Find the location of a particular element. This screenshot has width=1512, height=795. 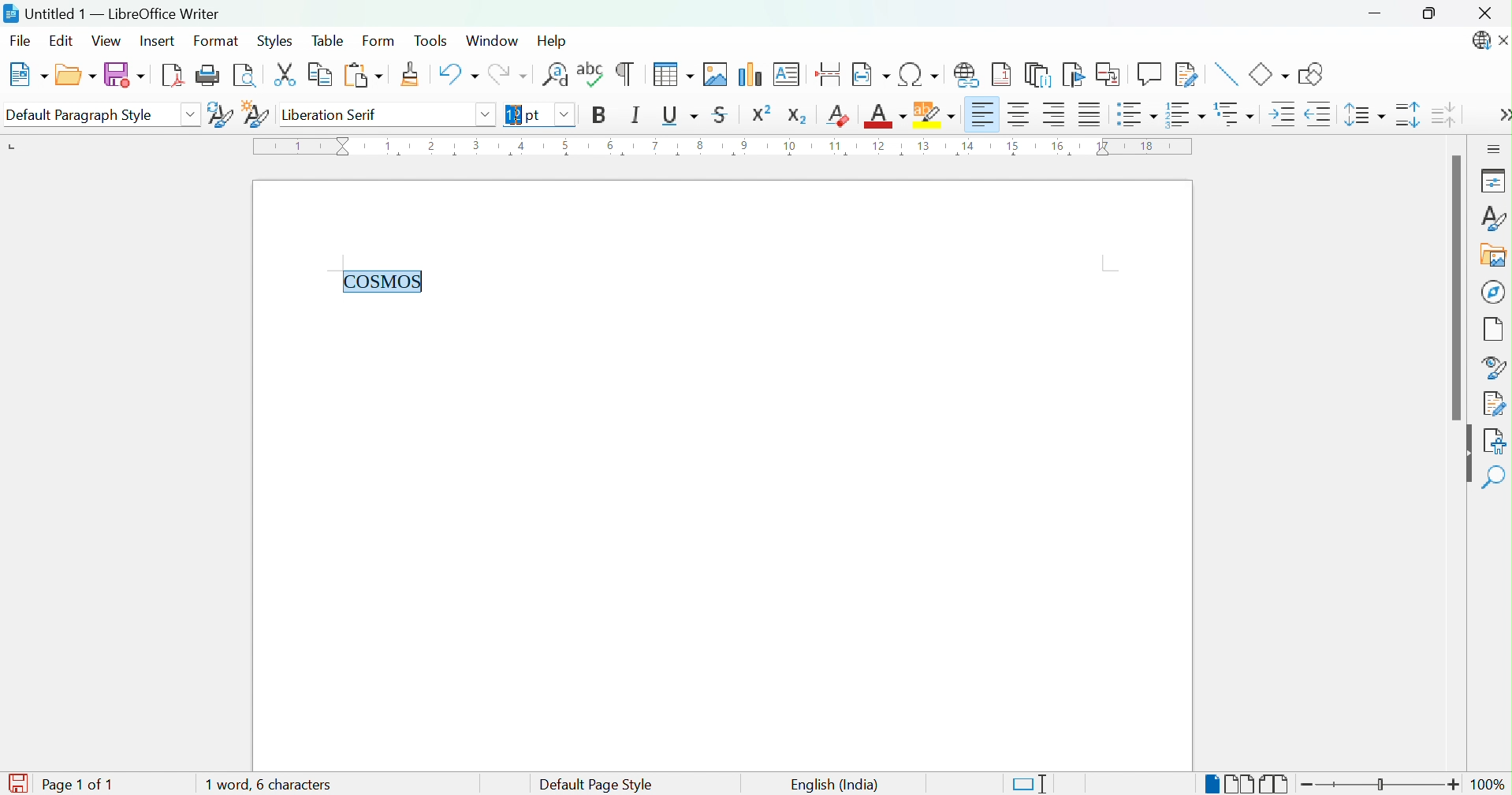

Gallery is located at coordinates (1492, 257).